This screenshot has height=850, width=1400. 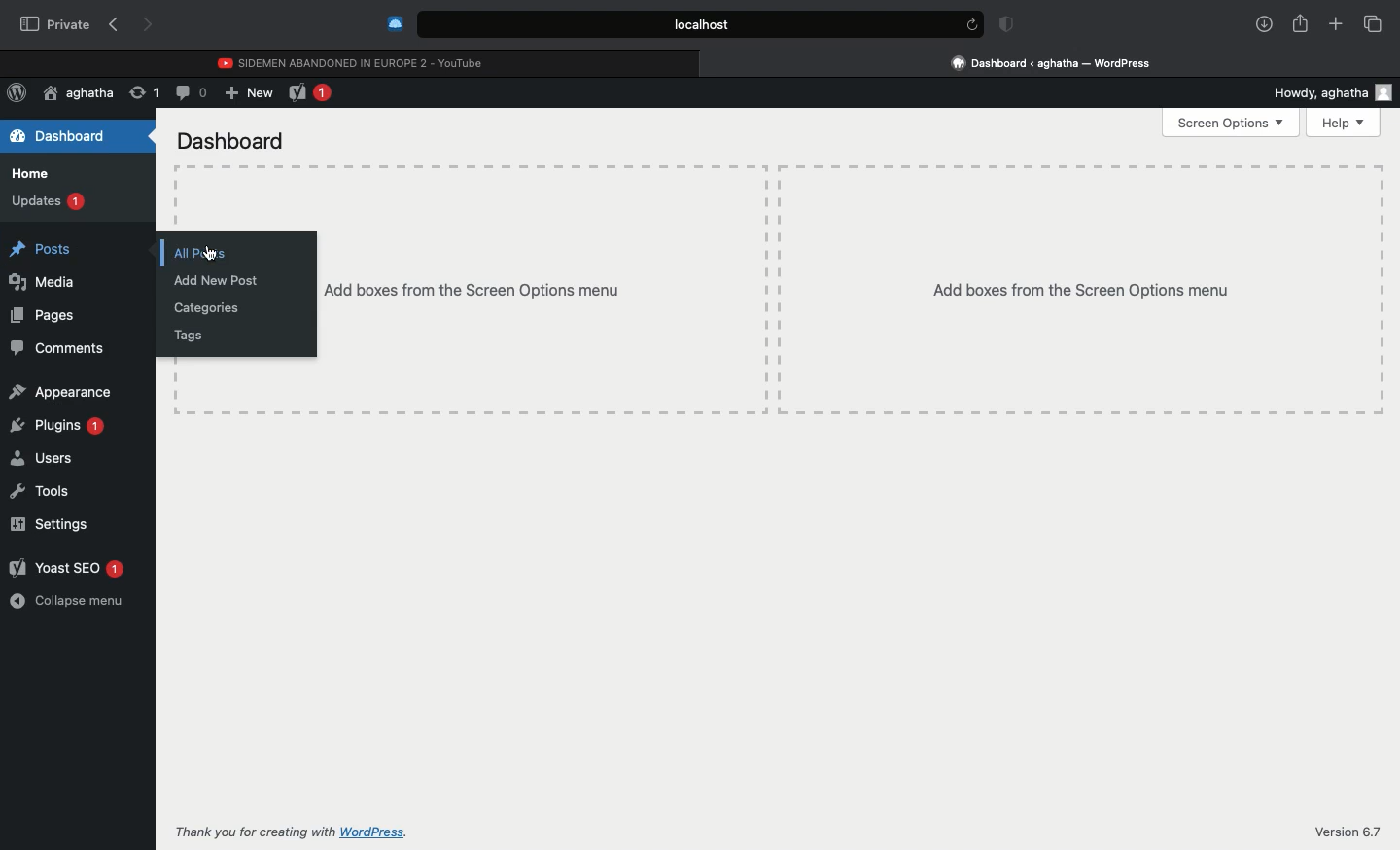 What do you see at coordinates (313, 94) in the screenshot?
I see `Yoast` at bounding box center [313, 94].